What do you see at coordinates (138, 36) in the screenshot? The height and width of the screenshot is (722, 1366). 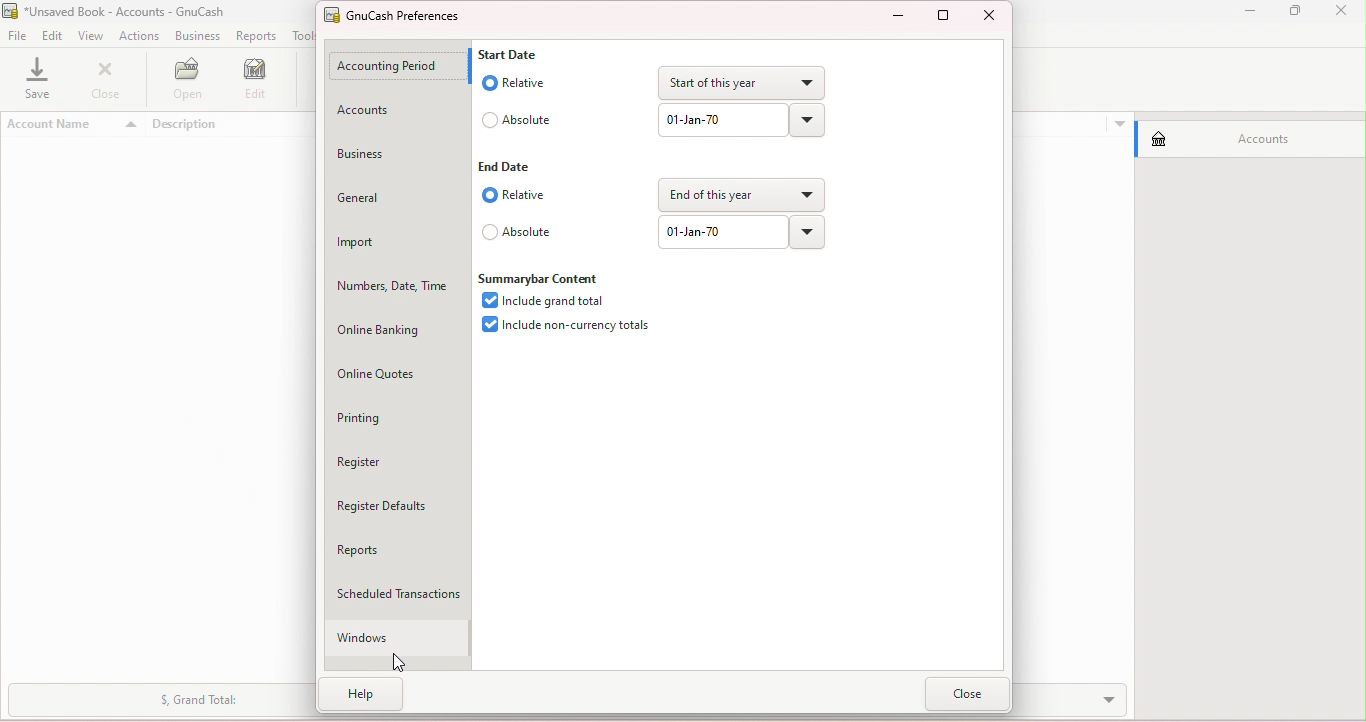 I see `Actions` at bounding box center [138, 36].